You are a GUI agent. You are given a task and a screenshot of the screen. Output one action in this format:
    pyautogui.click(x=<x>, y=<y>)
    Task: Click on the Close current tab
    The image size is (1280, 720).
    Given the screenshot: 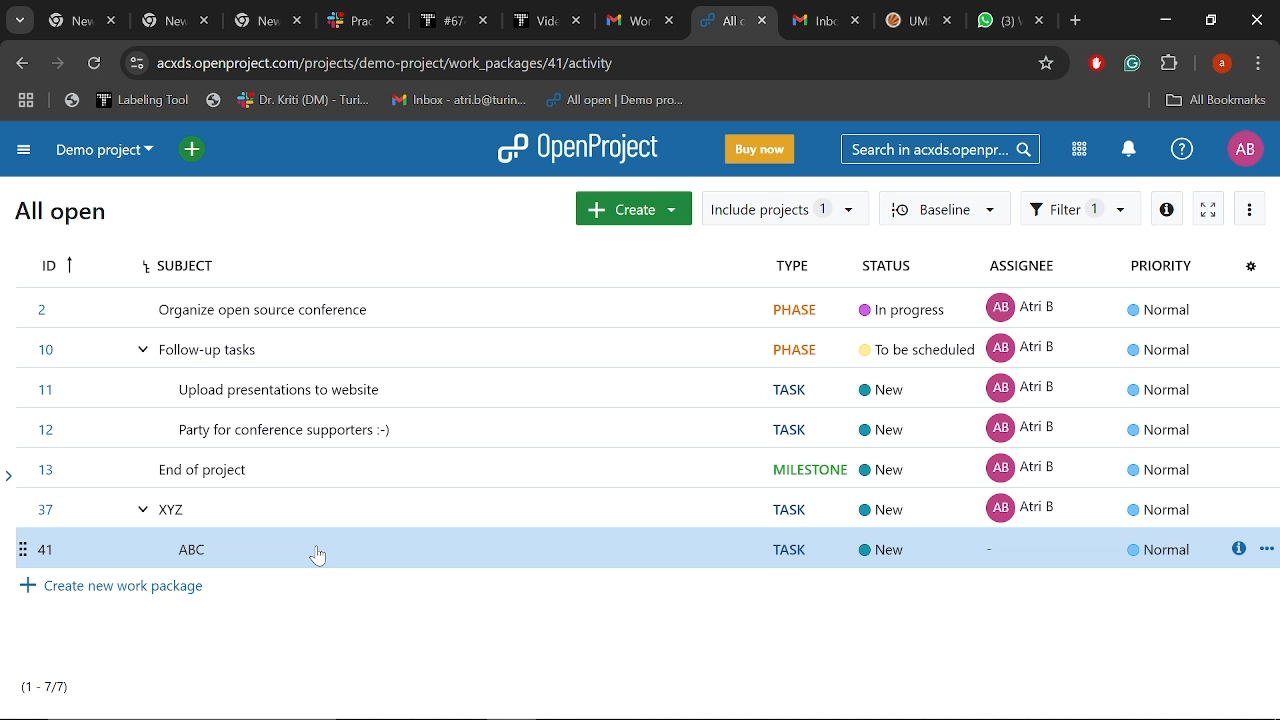 What is the action you would take?
    pyautogui.click(x=763, y=23)
    